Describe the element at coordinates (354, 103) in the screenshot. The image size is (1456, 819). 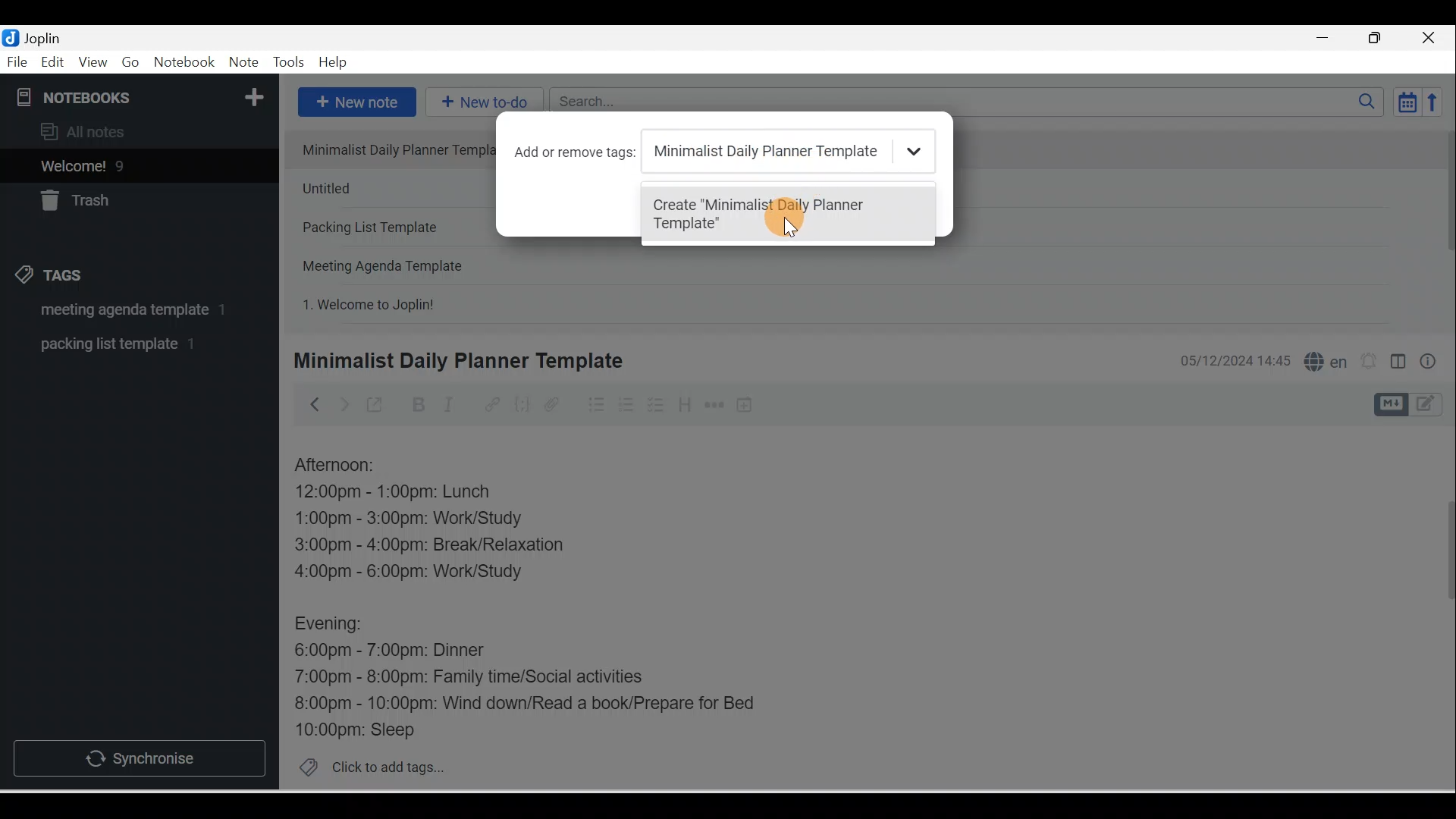
I see `New note` at that location.